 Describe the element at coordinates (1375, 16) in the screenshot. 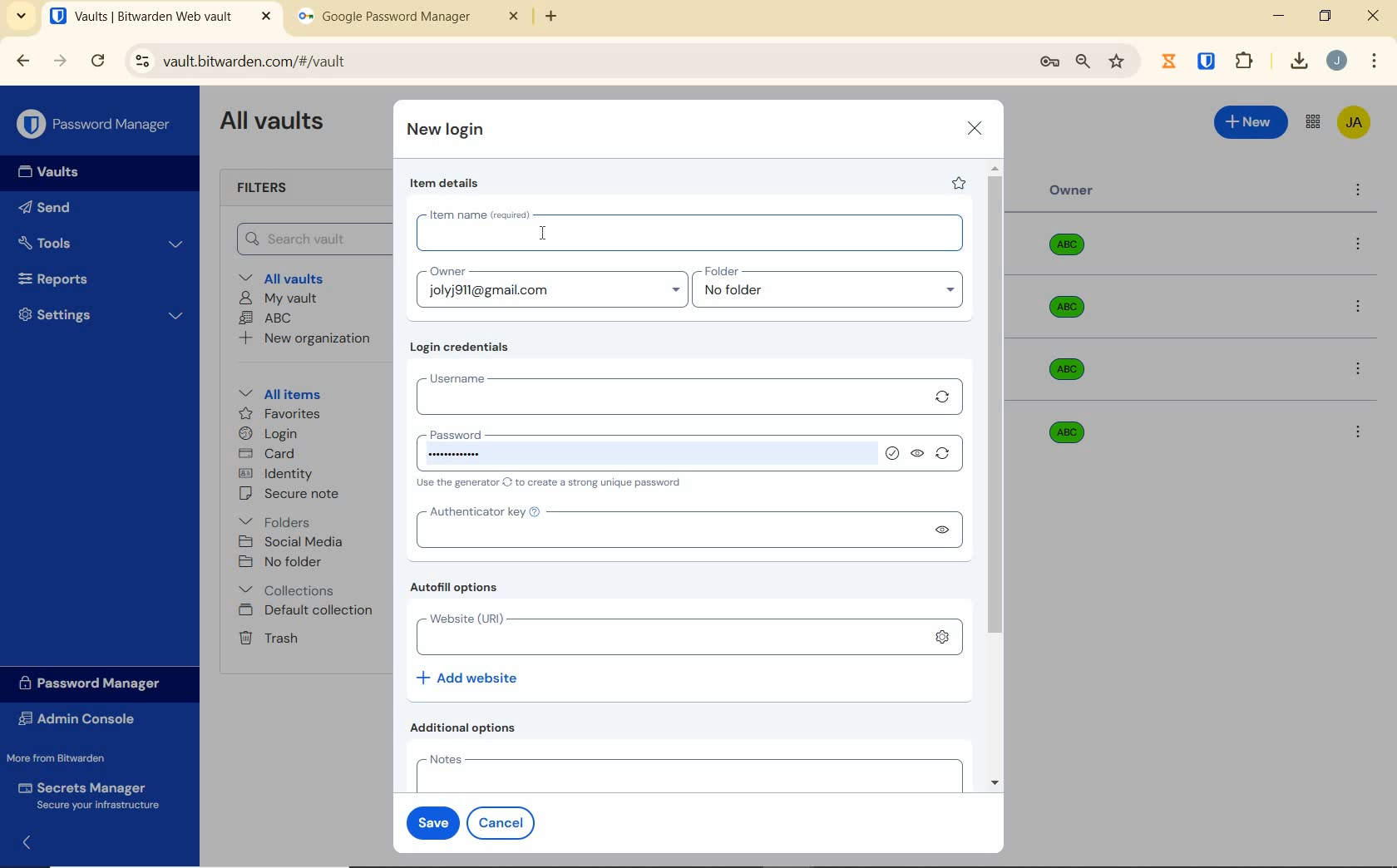

I see `close` at that location.